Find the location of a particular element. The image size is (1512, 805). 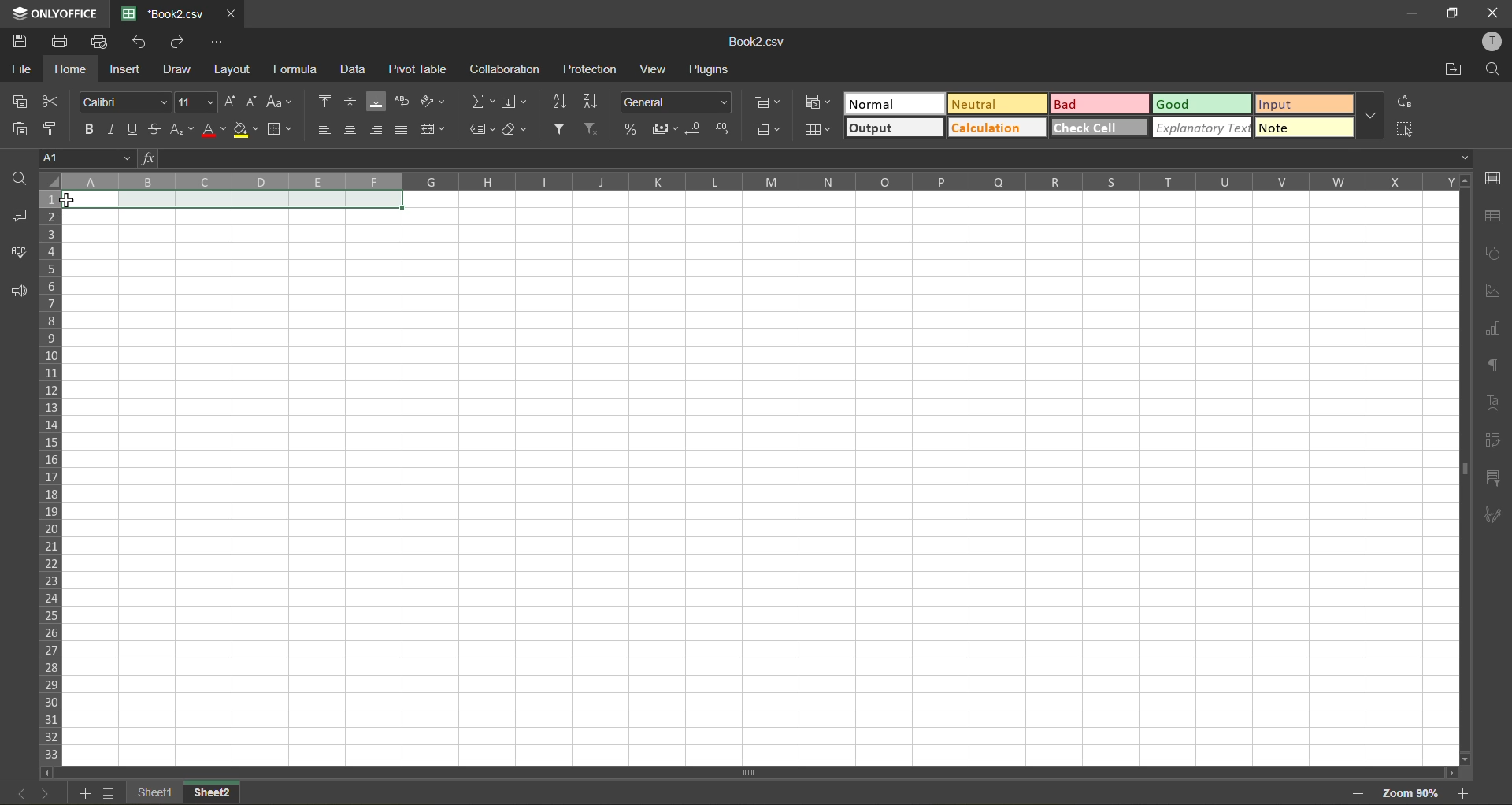

sort ascending is located at coordinates (558, 102).